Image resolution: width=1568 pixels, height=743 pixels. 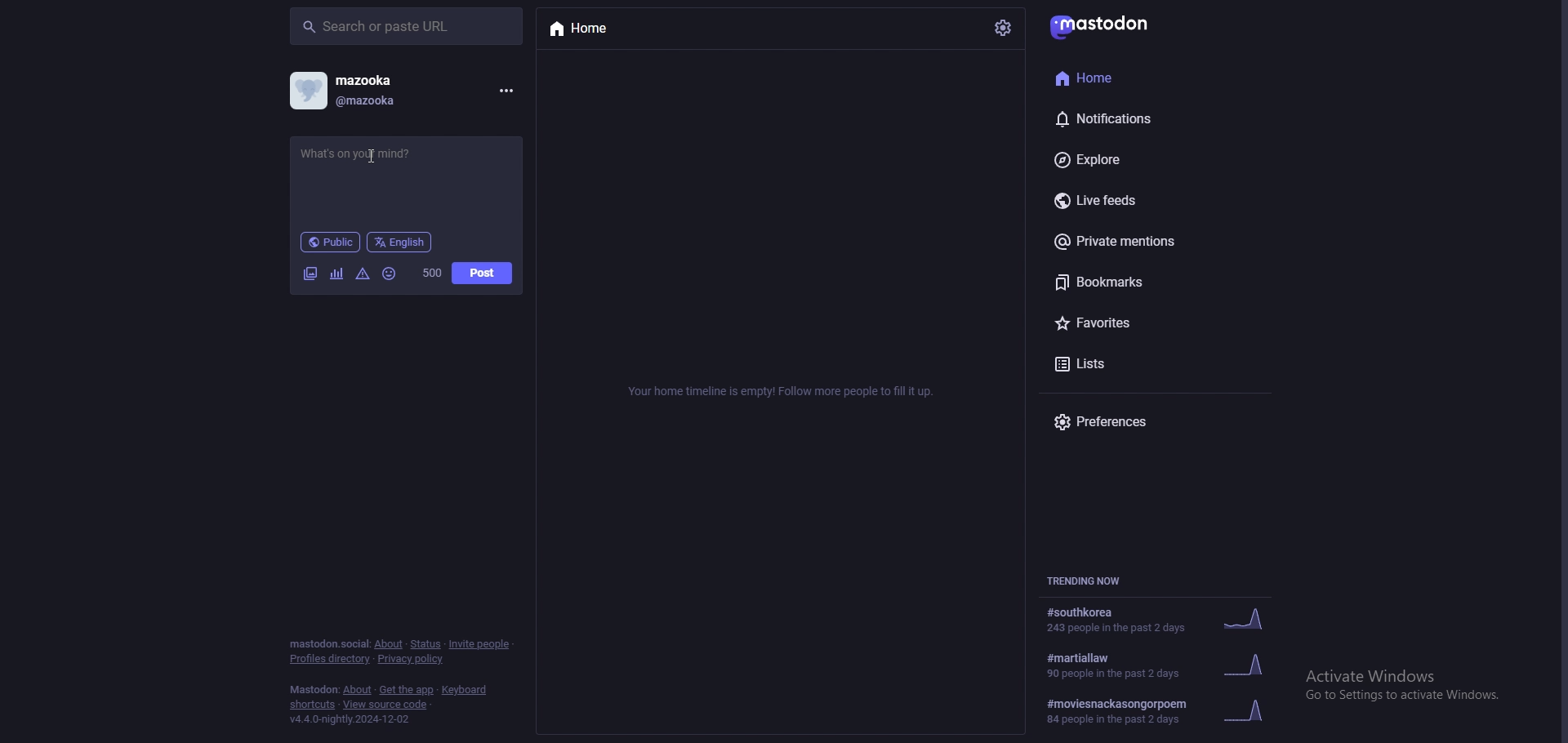 I want to click on mazooka, so click(x=387, y=79).